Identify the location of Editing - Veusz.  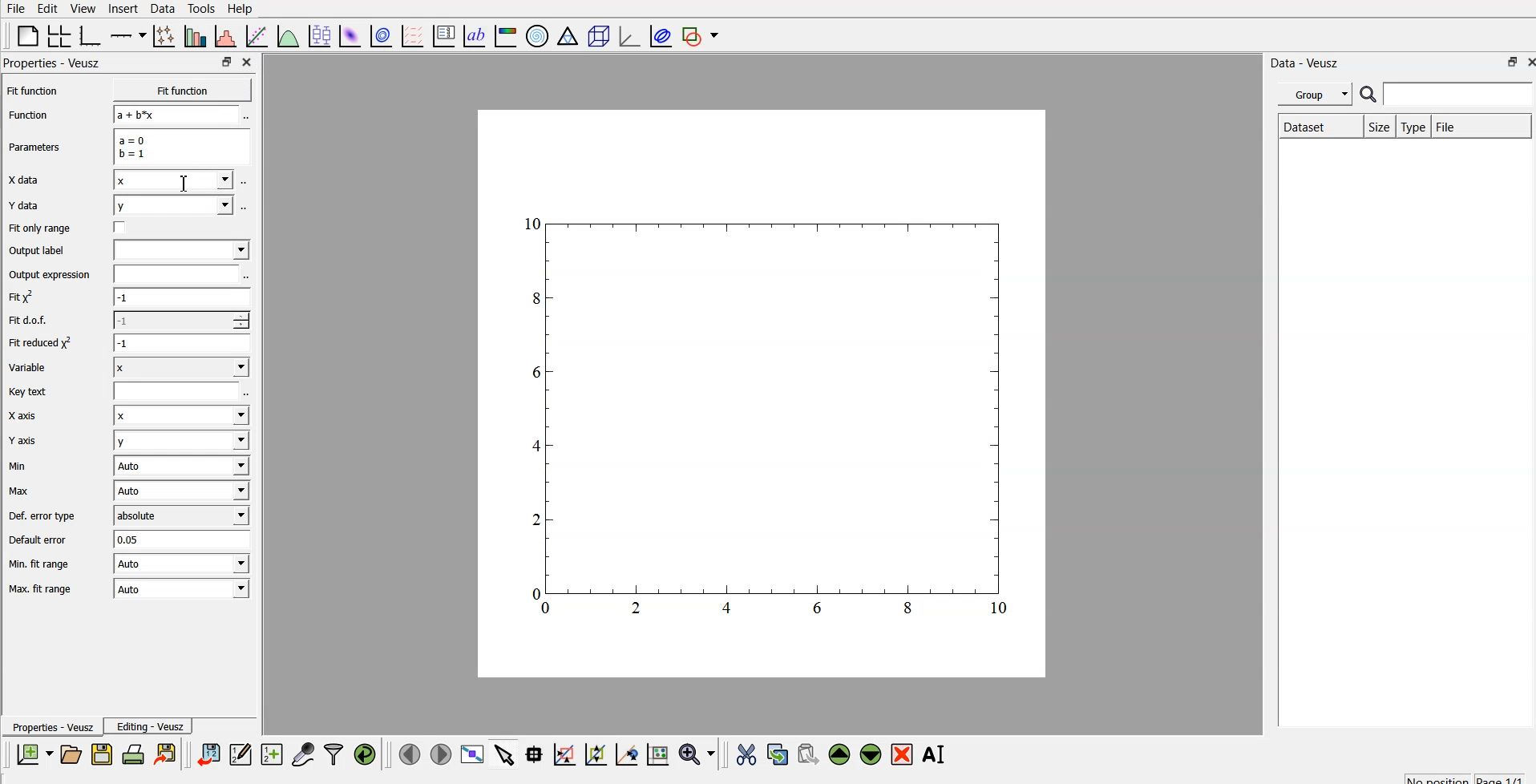
(155, 725).